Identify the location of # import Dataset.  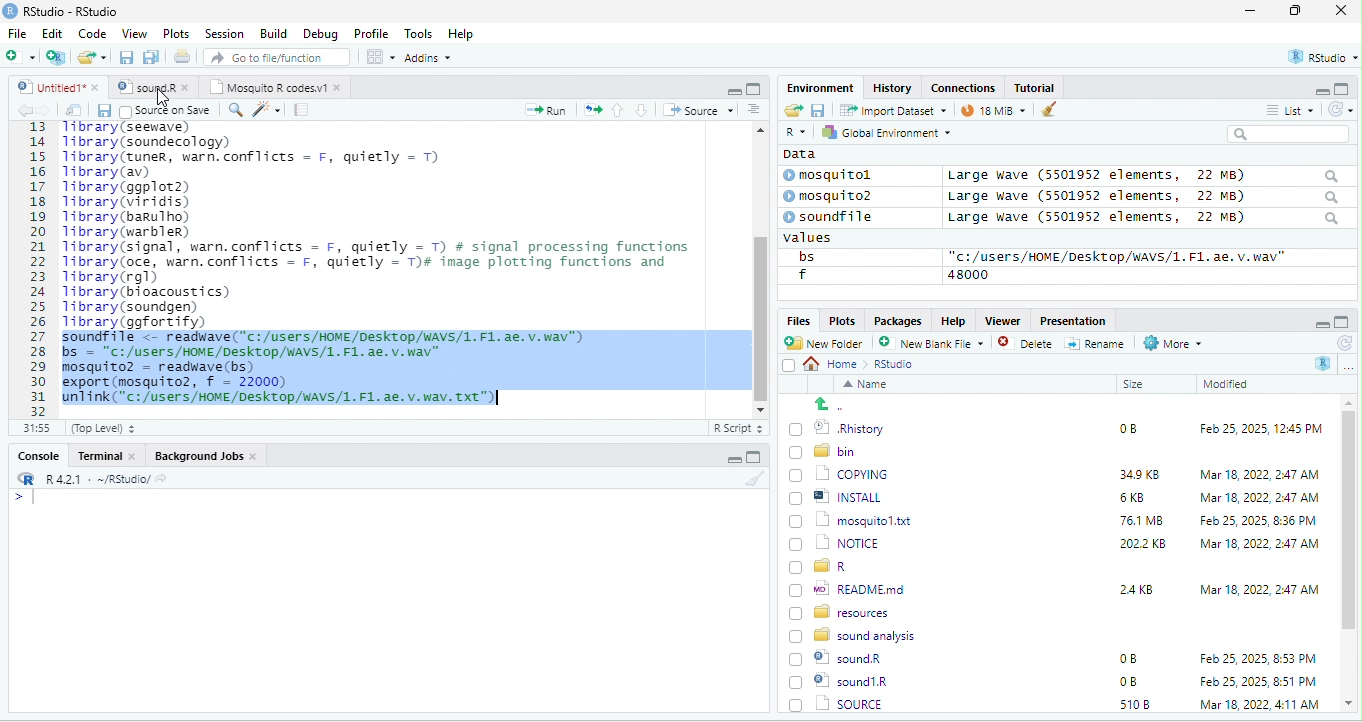
(891, 109).